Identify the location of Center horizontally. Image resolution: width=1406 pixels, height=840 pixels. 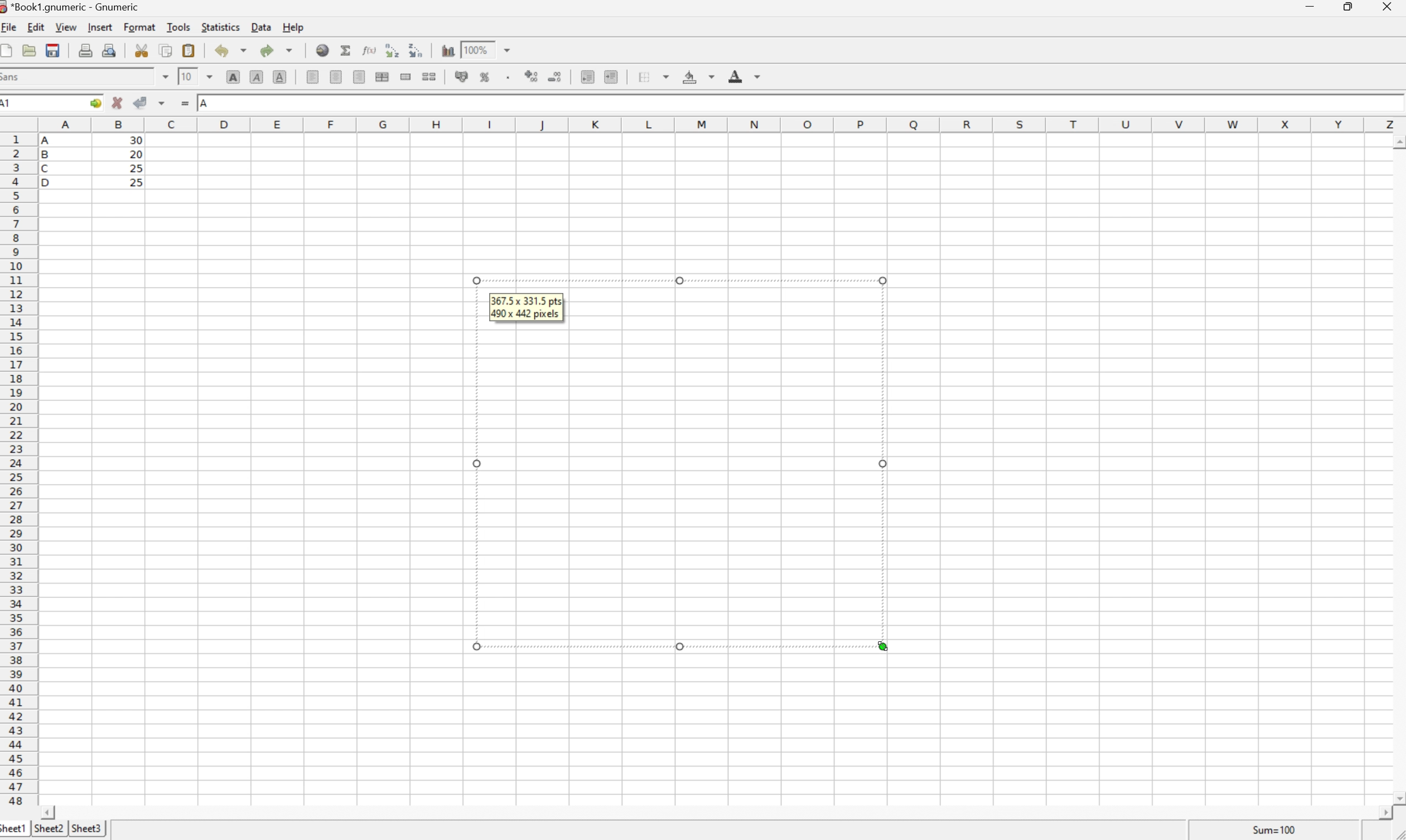
(337, 78).